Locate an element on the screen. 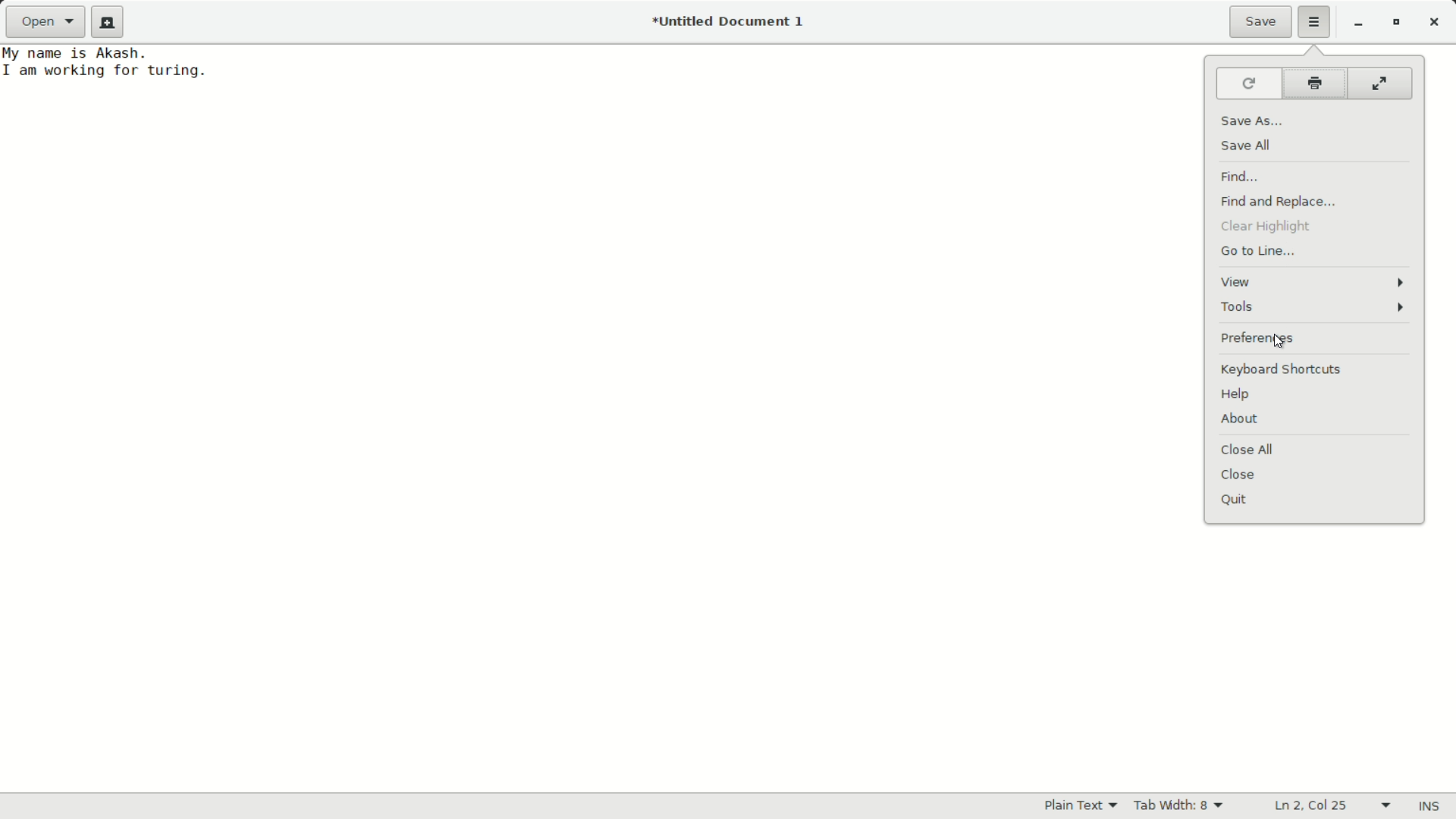 Image resolution: width=1456 pixels, height=819 pixels. view is located at coordinates (1314, 282).